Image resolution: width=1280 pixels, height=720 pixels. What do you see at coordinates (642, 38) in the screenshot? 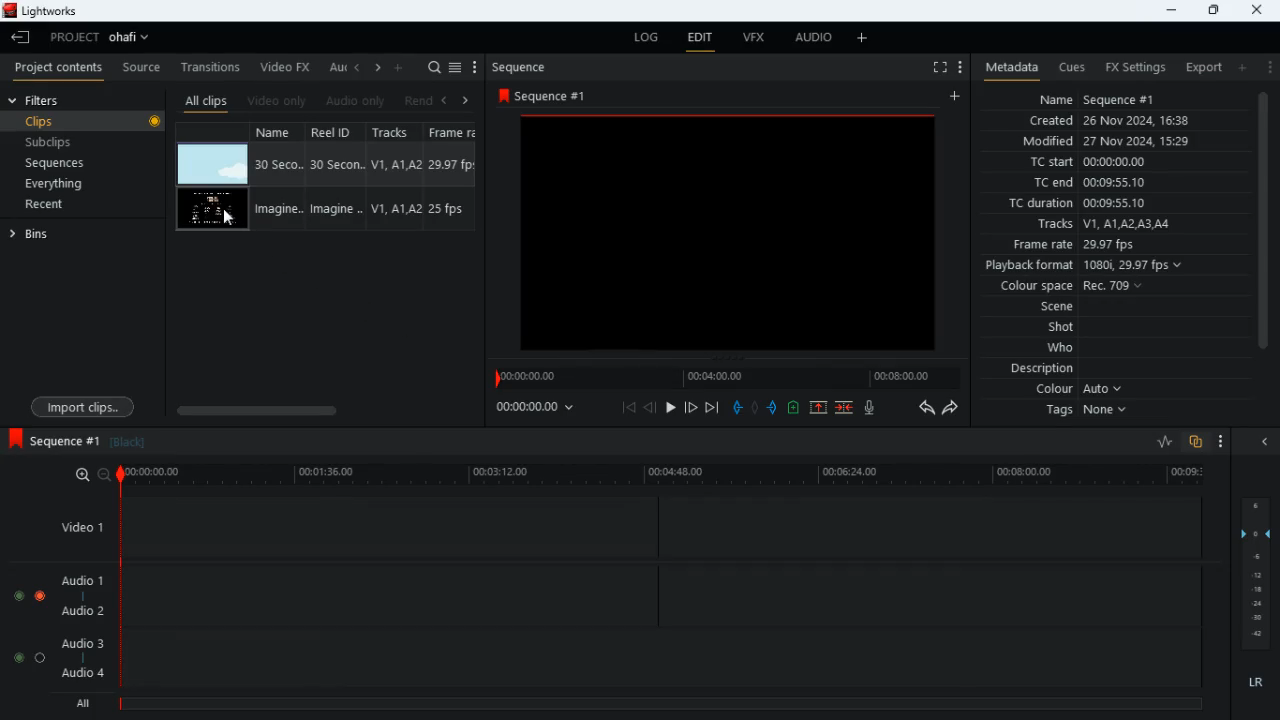
I see `log` at bounding box center [642, 38].